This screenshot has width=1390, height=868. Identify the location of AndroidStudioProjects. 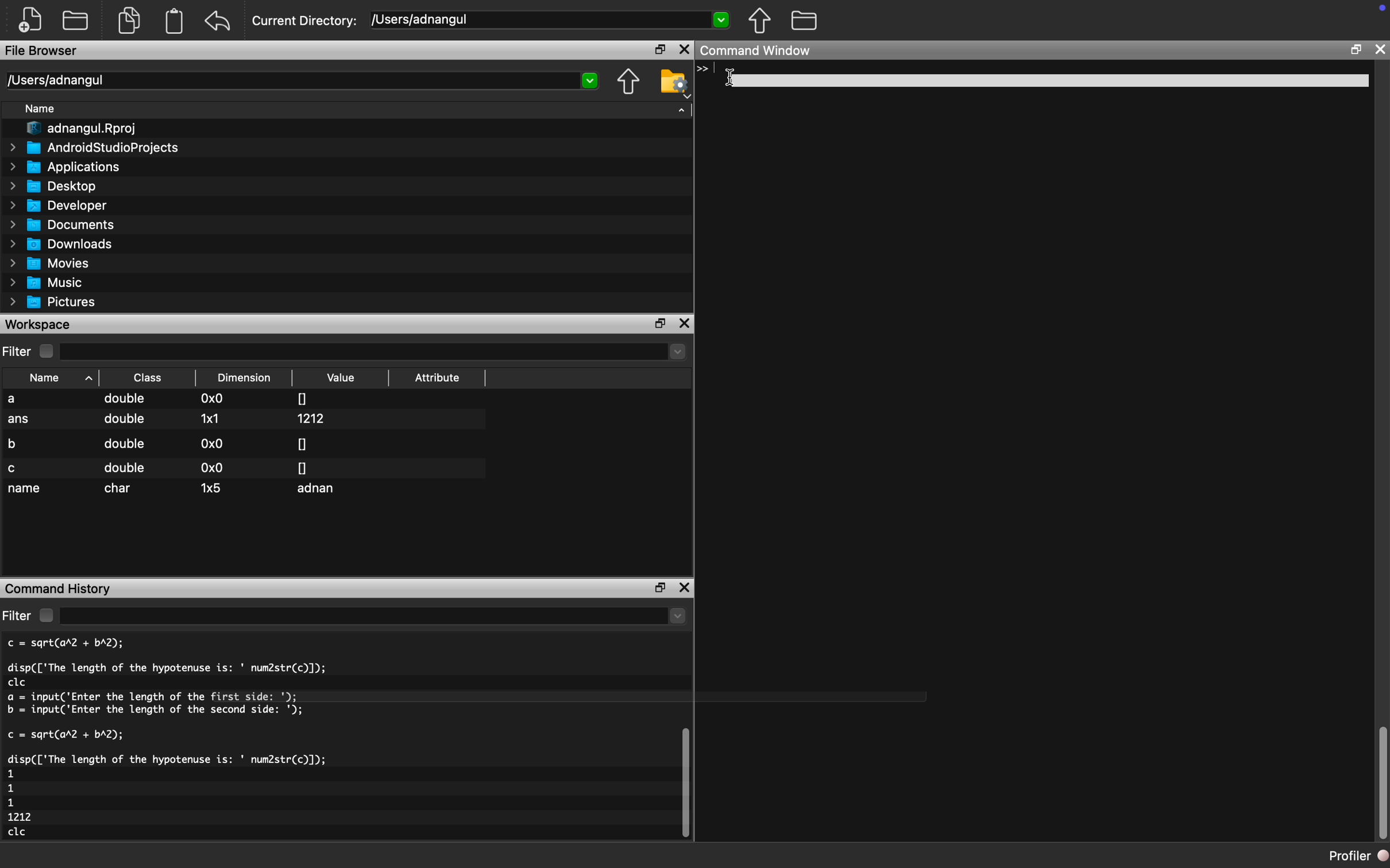
(96, 148).